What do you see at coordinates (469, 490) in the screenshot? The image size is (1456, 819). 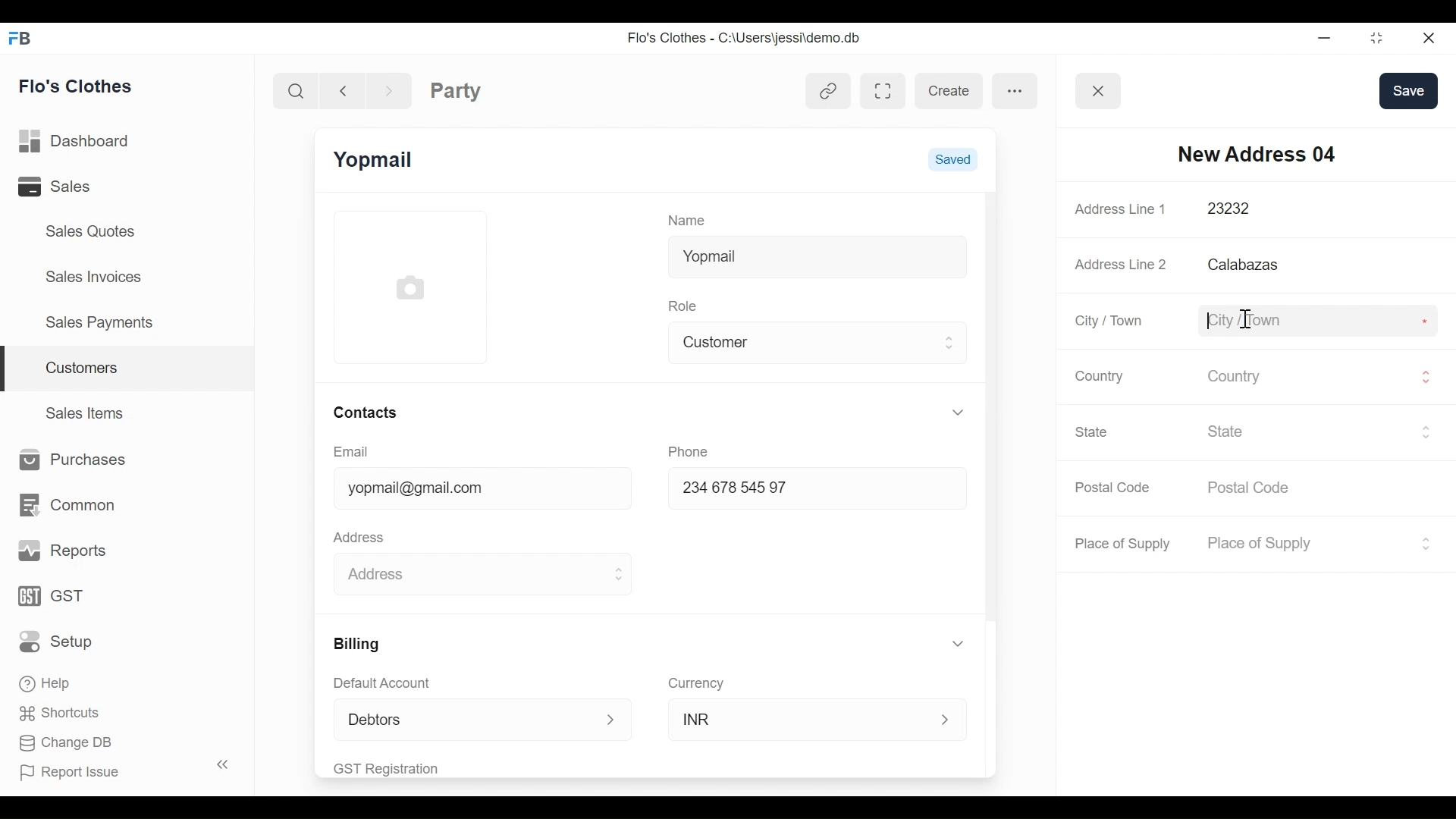 I see `yopmail@gmail.com` at bounding box center [469, 490].